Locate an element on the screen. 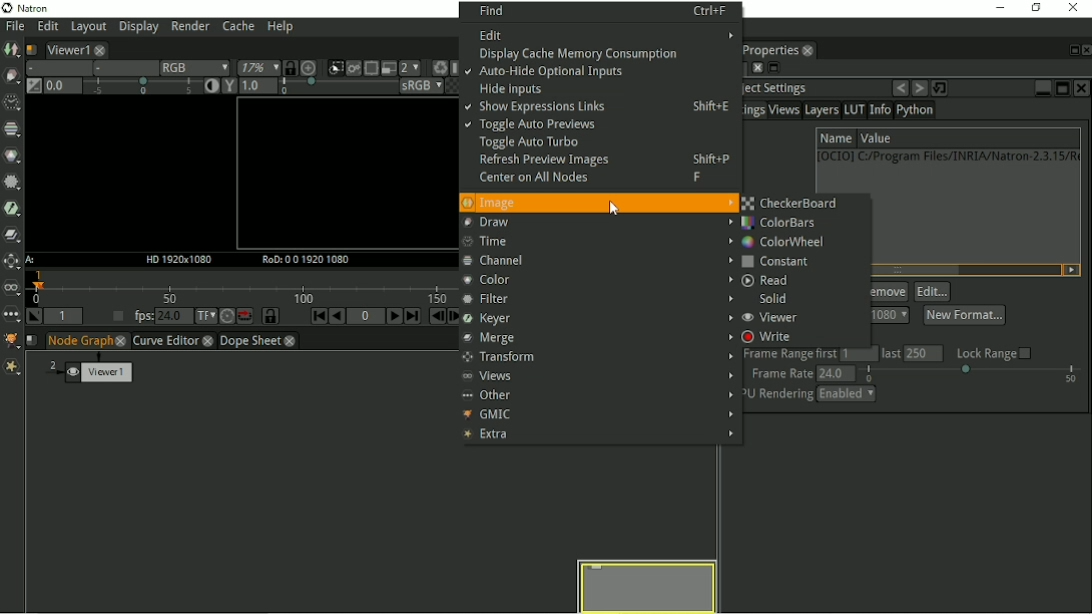  time is located at coordinates (594, 242).